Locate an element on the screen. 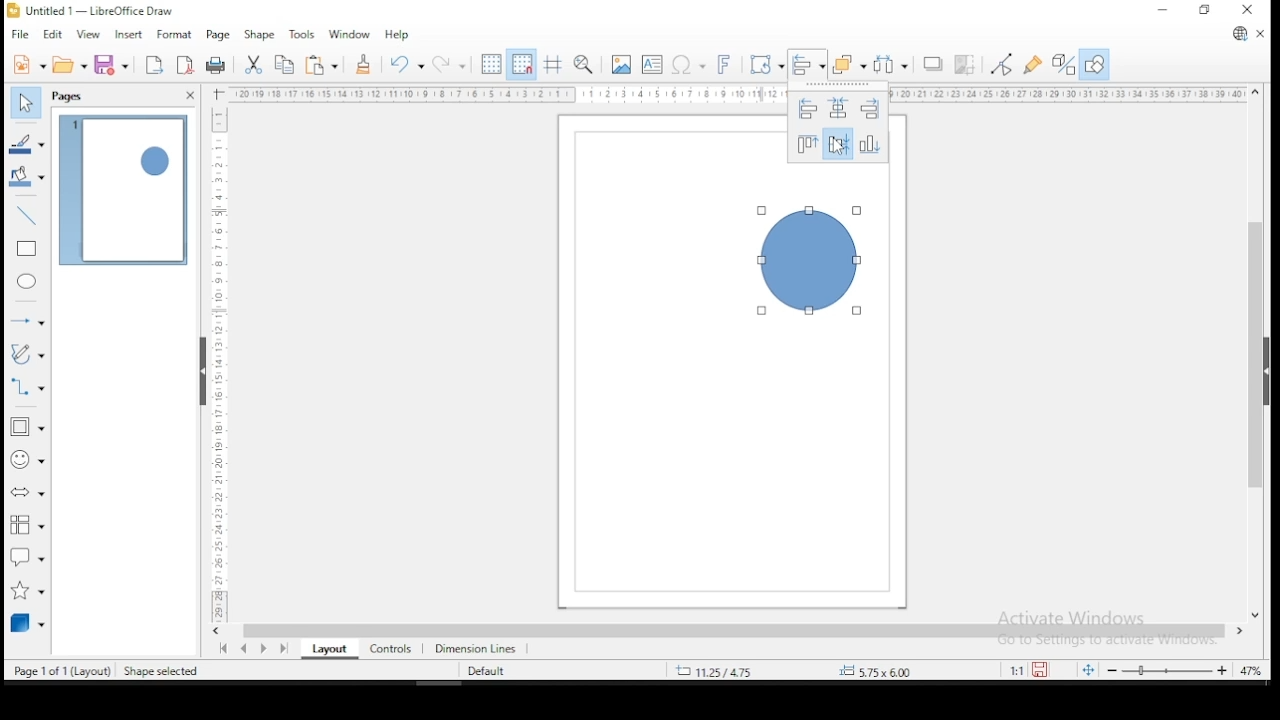  first page is located at coordinates (221, 649).